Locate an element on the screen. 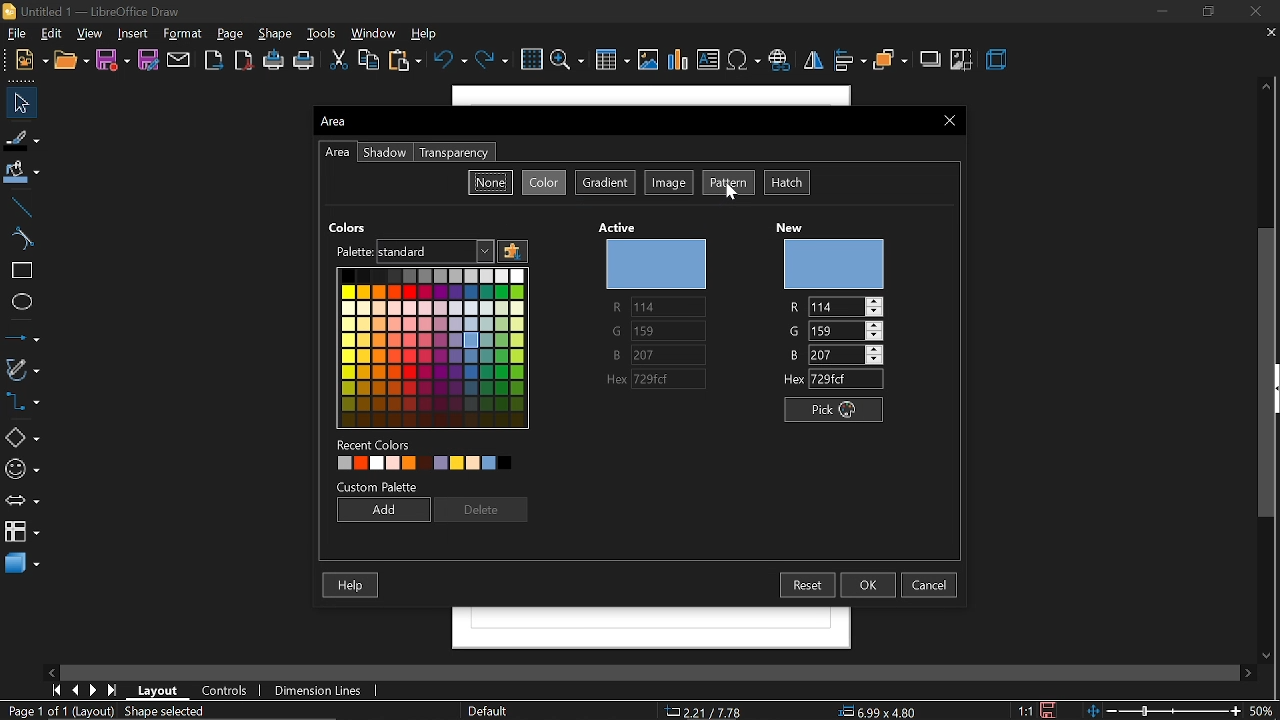 This screenshot has height=720, width=1280. redo is located at coordinates (493, 61).